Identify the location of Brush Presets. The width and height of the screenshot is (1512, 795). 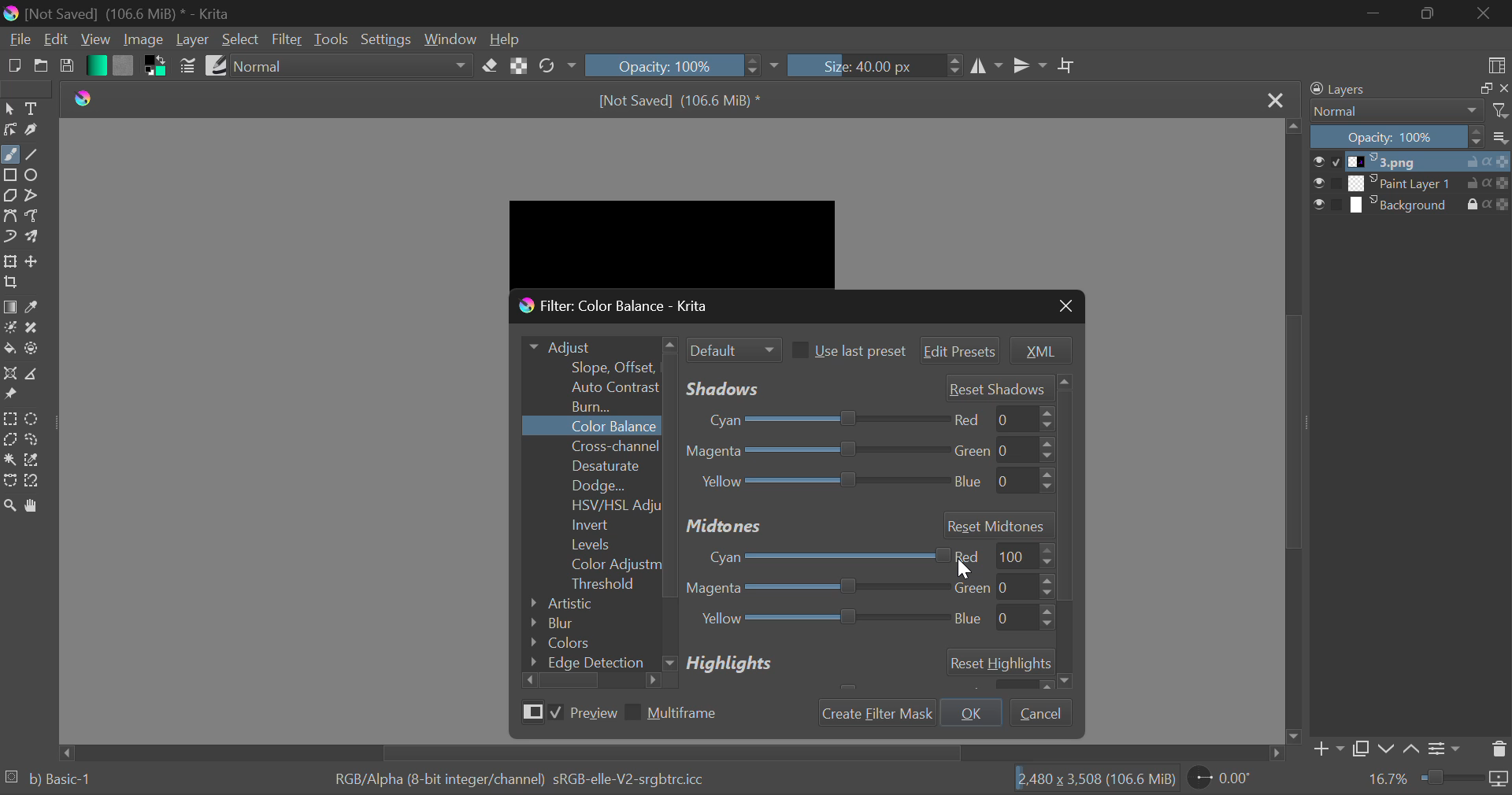
(217, 65).